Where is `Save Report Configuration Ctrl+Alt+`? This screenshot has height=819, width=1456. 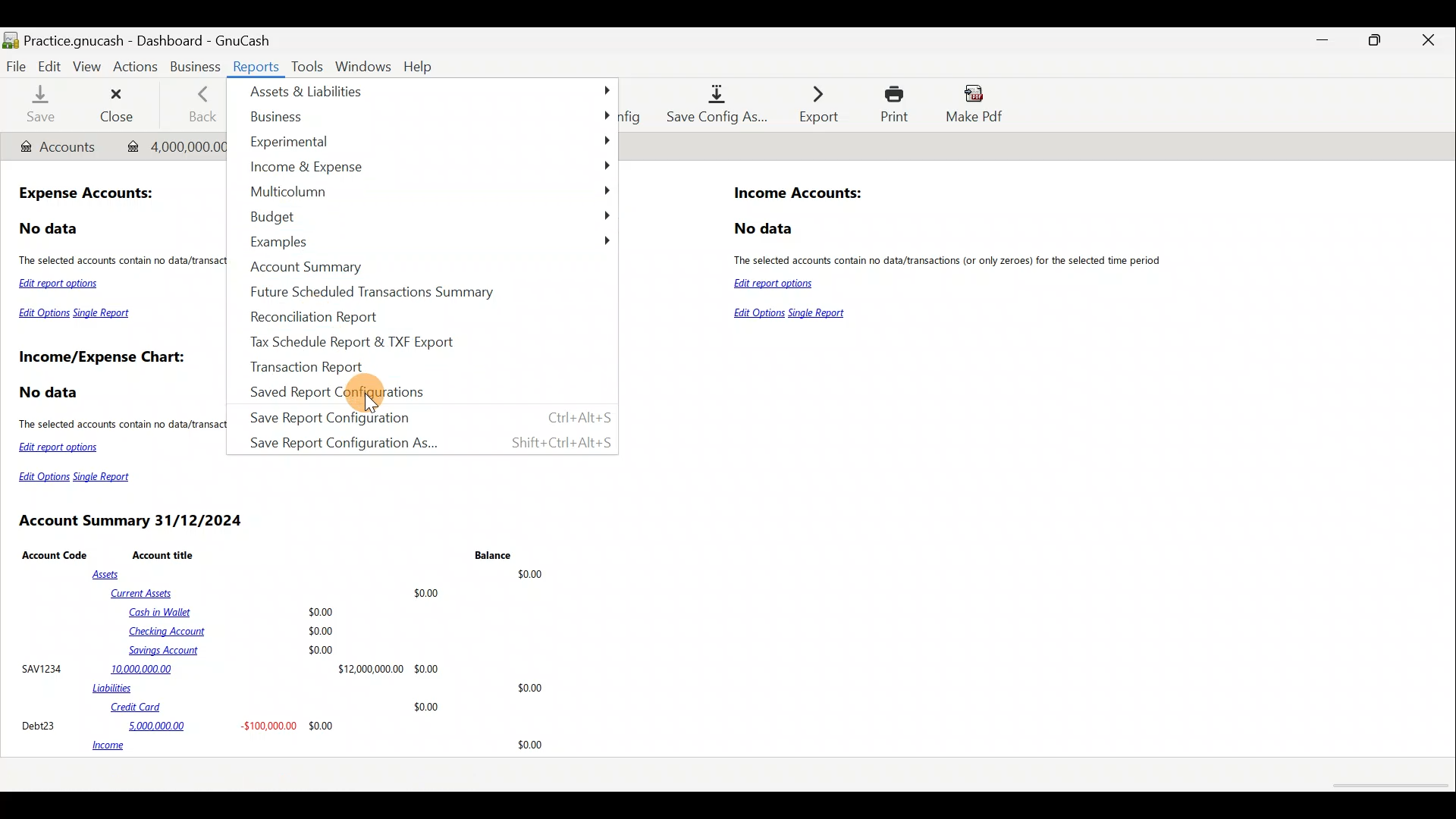
Save Report Configuration Ctrl+Alt+ is located at coordinates (425, 419).